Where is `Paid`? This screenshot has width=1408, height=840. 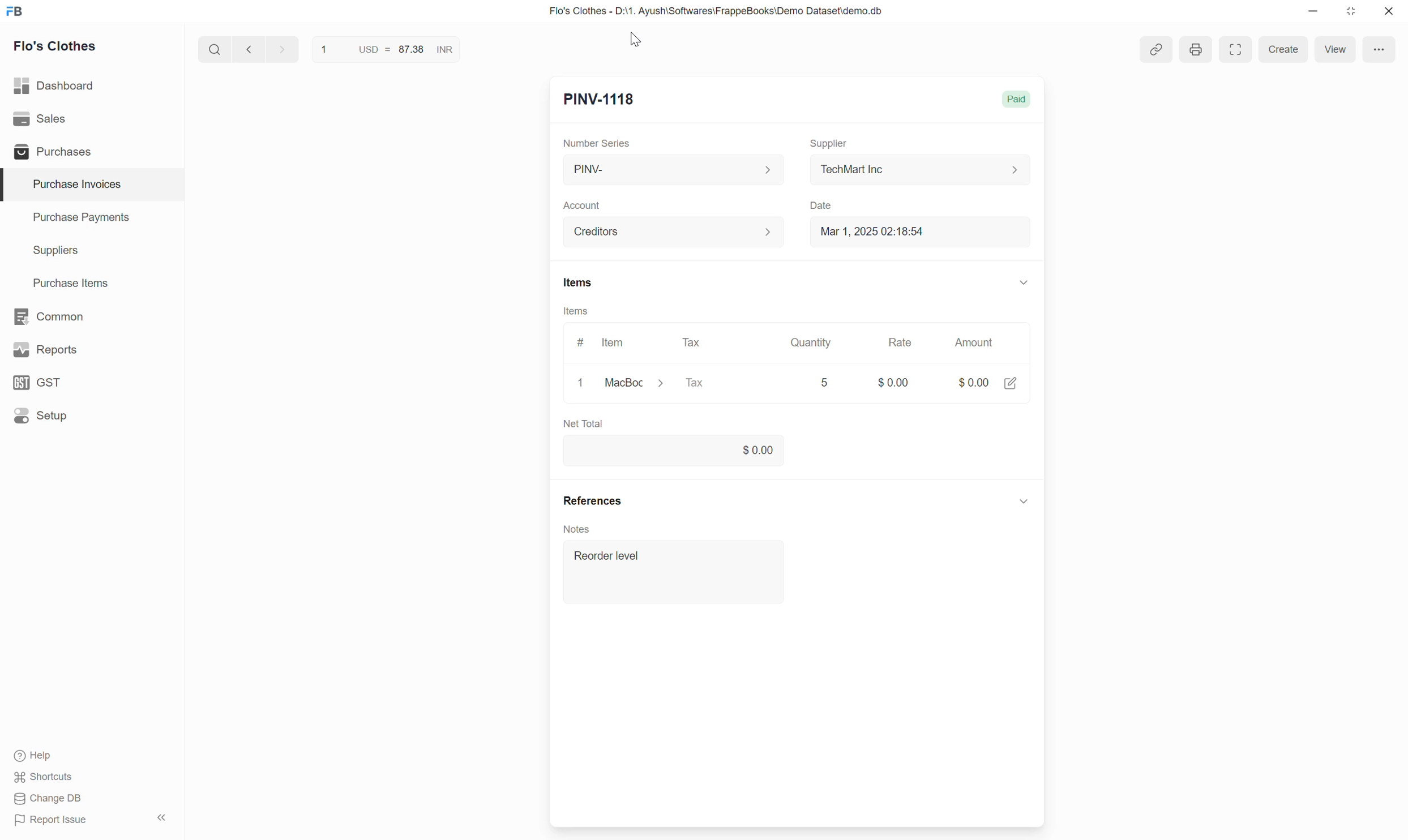
Paid is located at coordinates (1019, 98).